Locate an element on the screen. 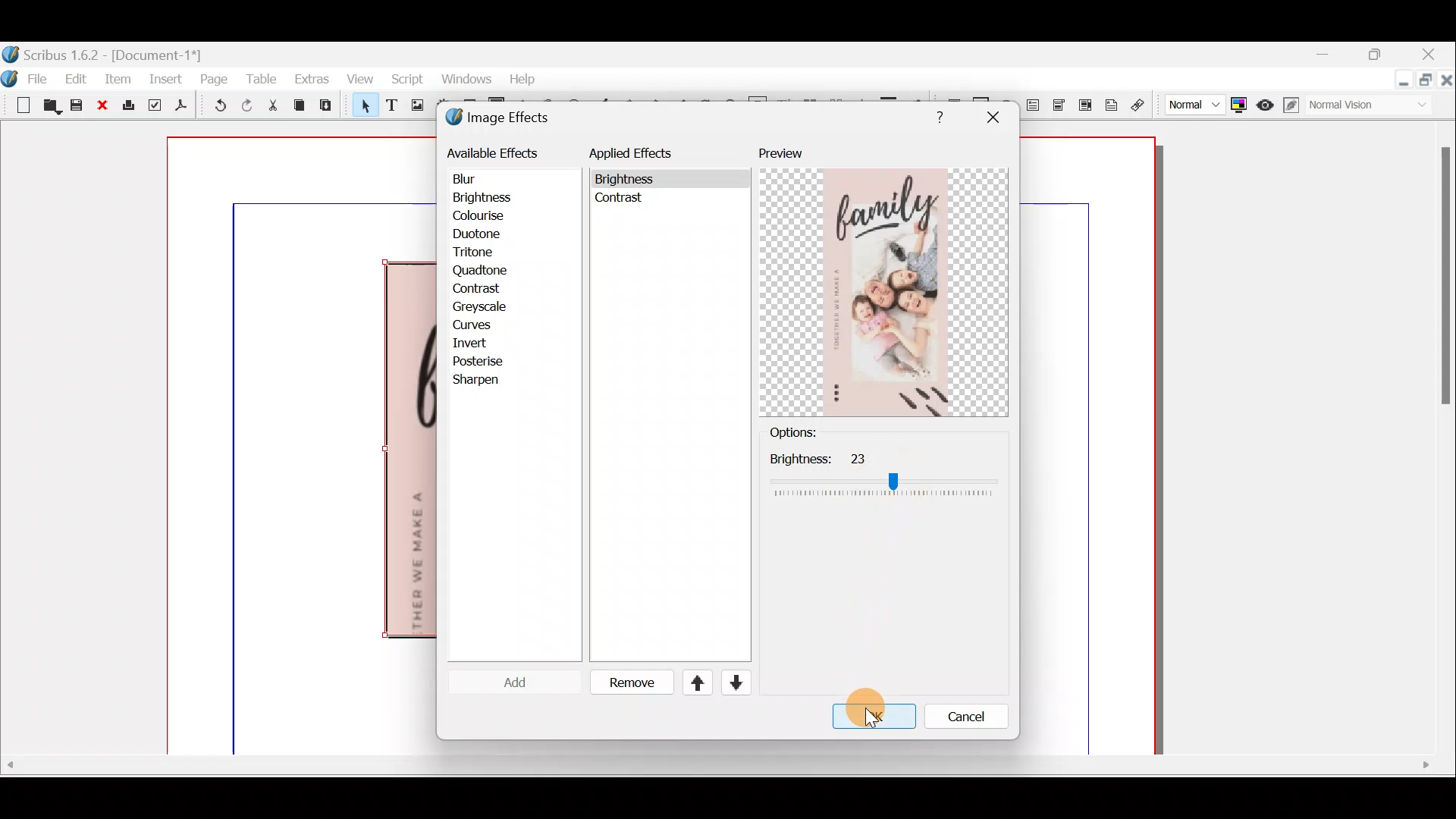 The image size is (1456, 819). Remove is located at coordinates (626, 683).